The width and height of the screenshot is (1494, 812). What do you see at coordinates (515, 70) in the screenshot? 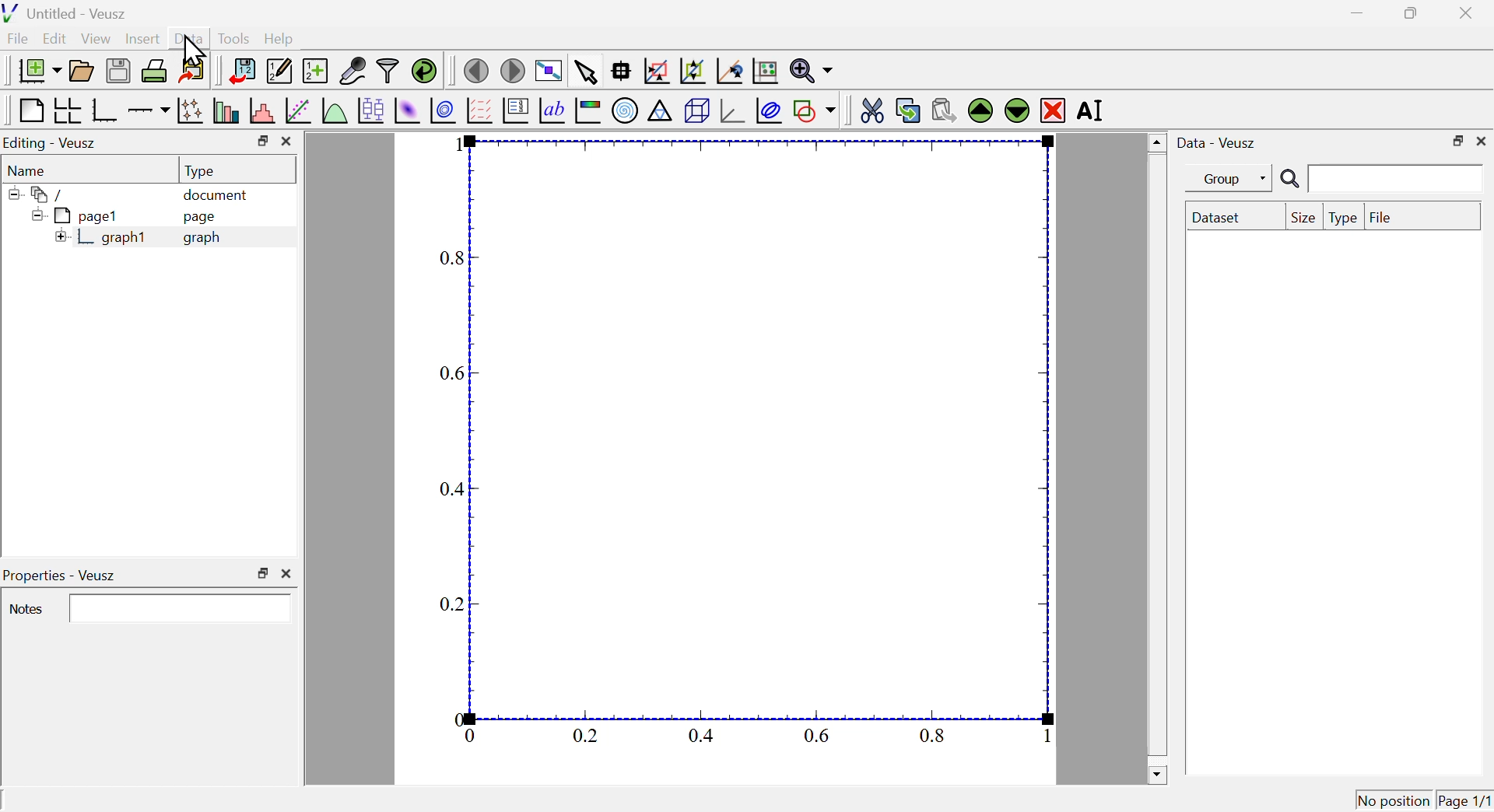
I see `move to the next page` at bounding box center [515, 70].